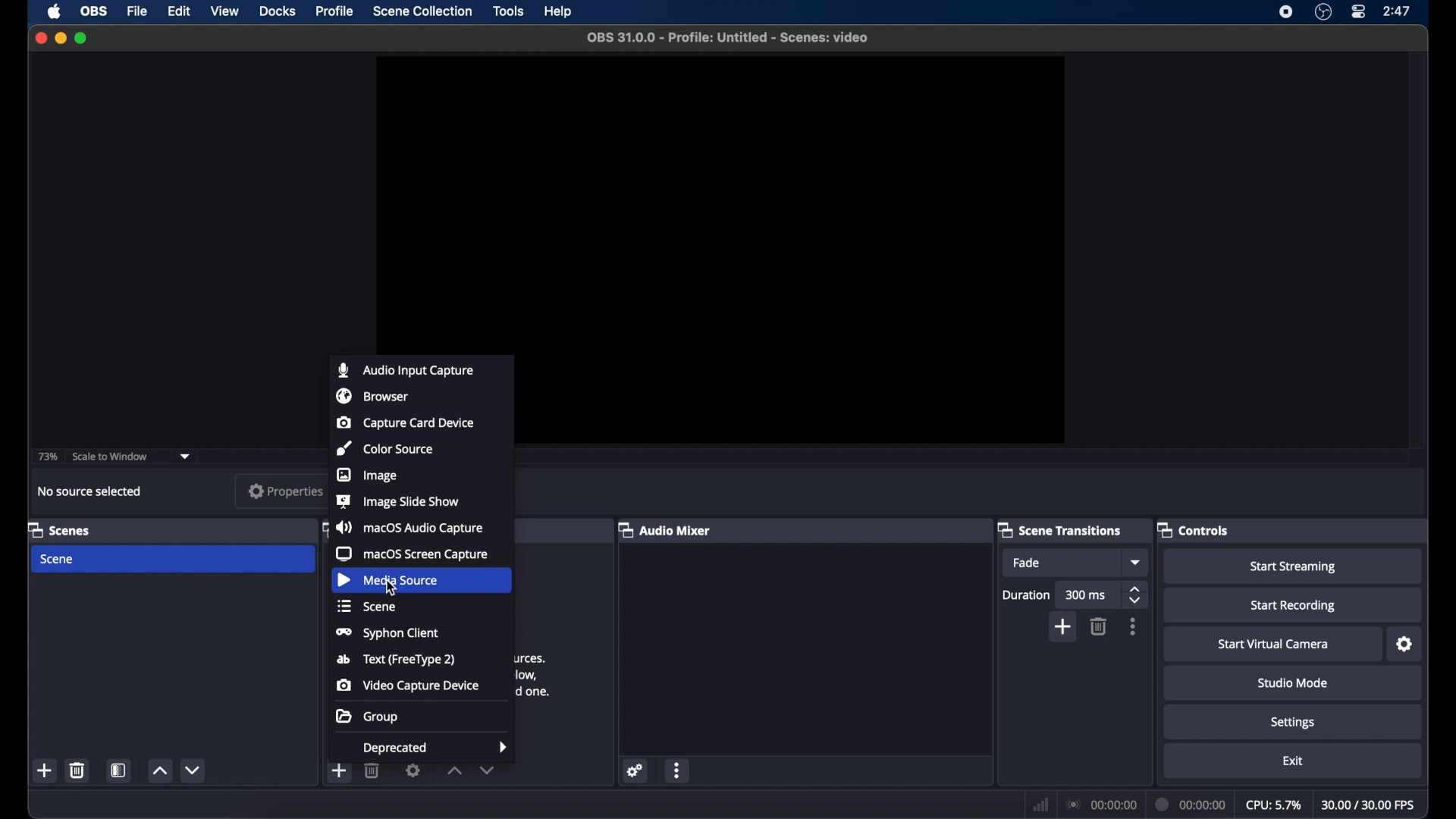 The width and height of the screenshot is (1456, 819). Describe the element at coordinates (1191, 804) in the screenshot. I see `duration` at that location.